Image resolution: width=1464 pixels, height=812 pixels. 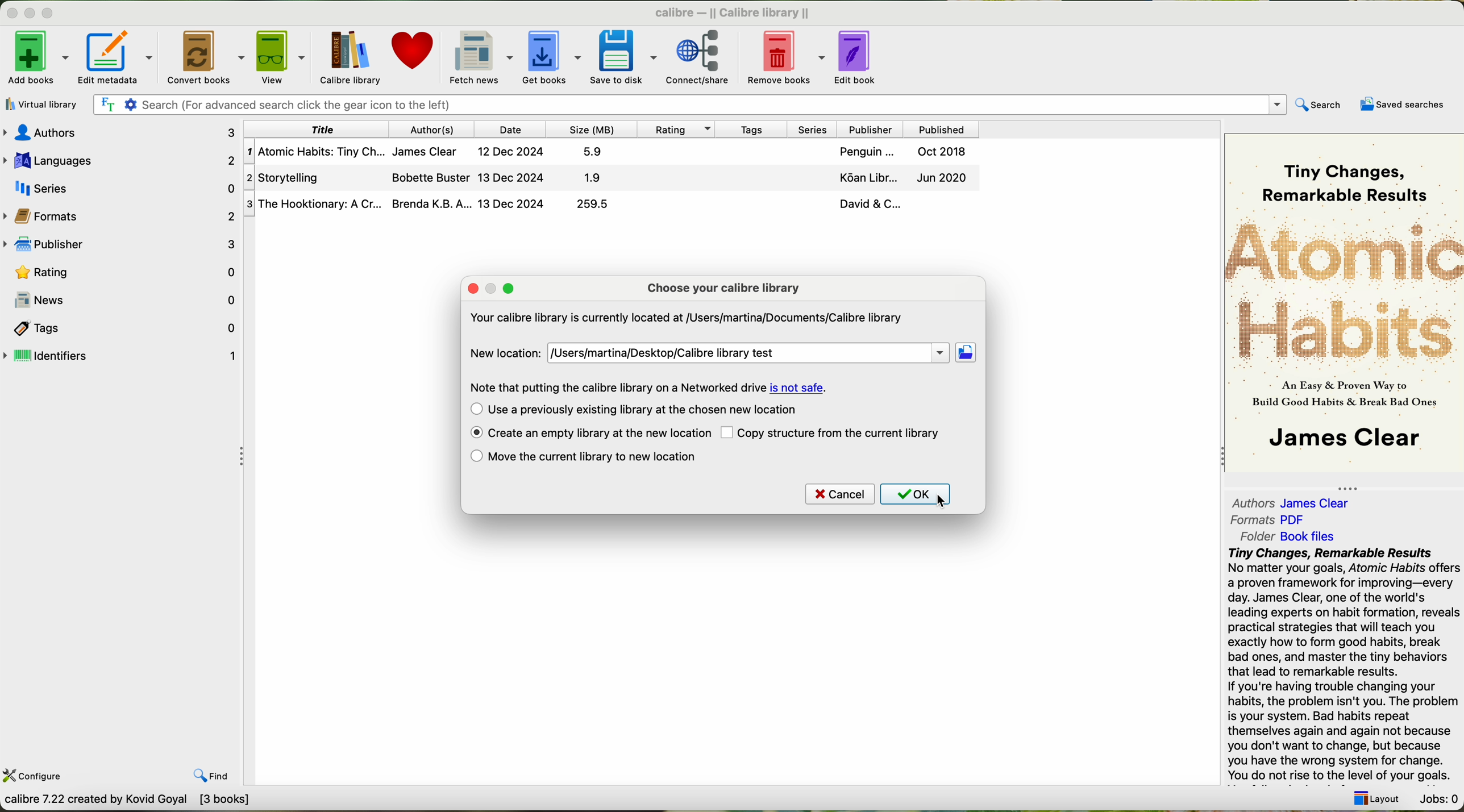 What do you see at coordinates (551, 56) in the screenshot?
I see `get books` at bounding box center [551, 56].